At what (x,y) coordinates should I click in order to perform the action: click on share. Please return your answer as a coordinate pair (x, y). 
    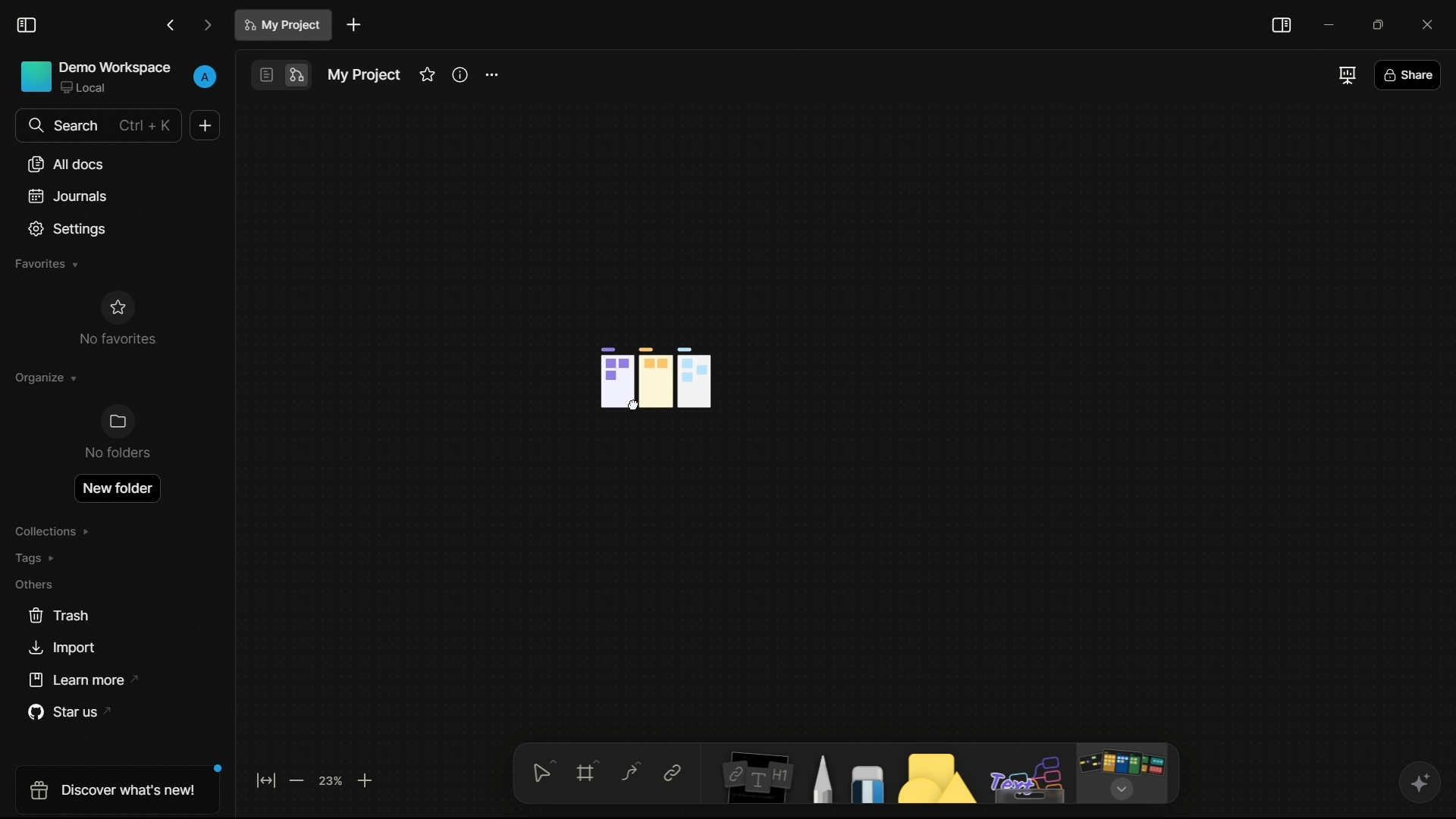
    Looking at the image, I should click on (1407, 77).